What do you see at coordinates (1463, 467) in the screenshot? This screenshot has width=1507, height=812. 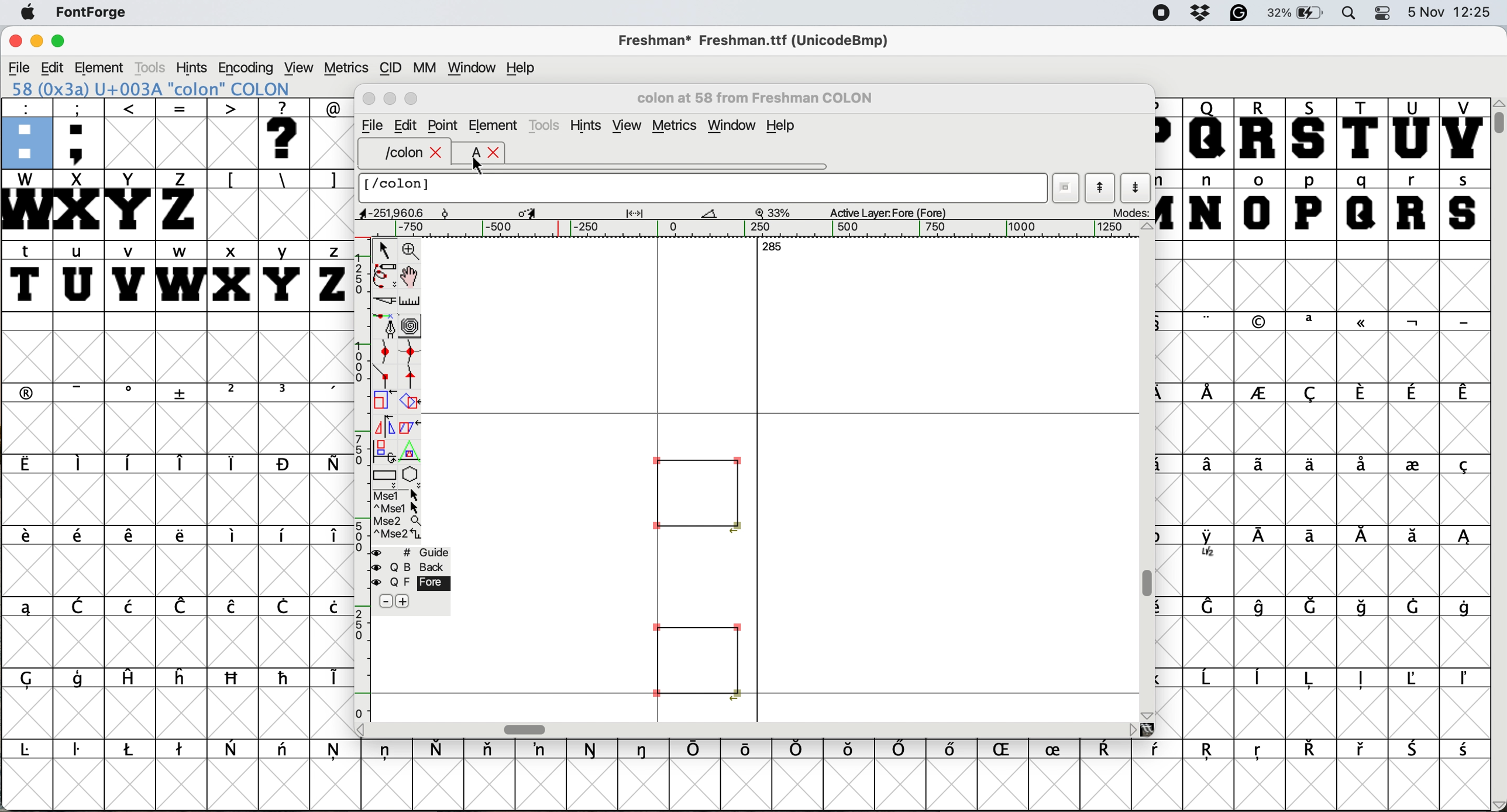 I see `symbol` at bounding box center [1463, 467].